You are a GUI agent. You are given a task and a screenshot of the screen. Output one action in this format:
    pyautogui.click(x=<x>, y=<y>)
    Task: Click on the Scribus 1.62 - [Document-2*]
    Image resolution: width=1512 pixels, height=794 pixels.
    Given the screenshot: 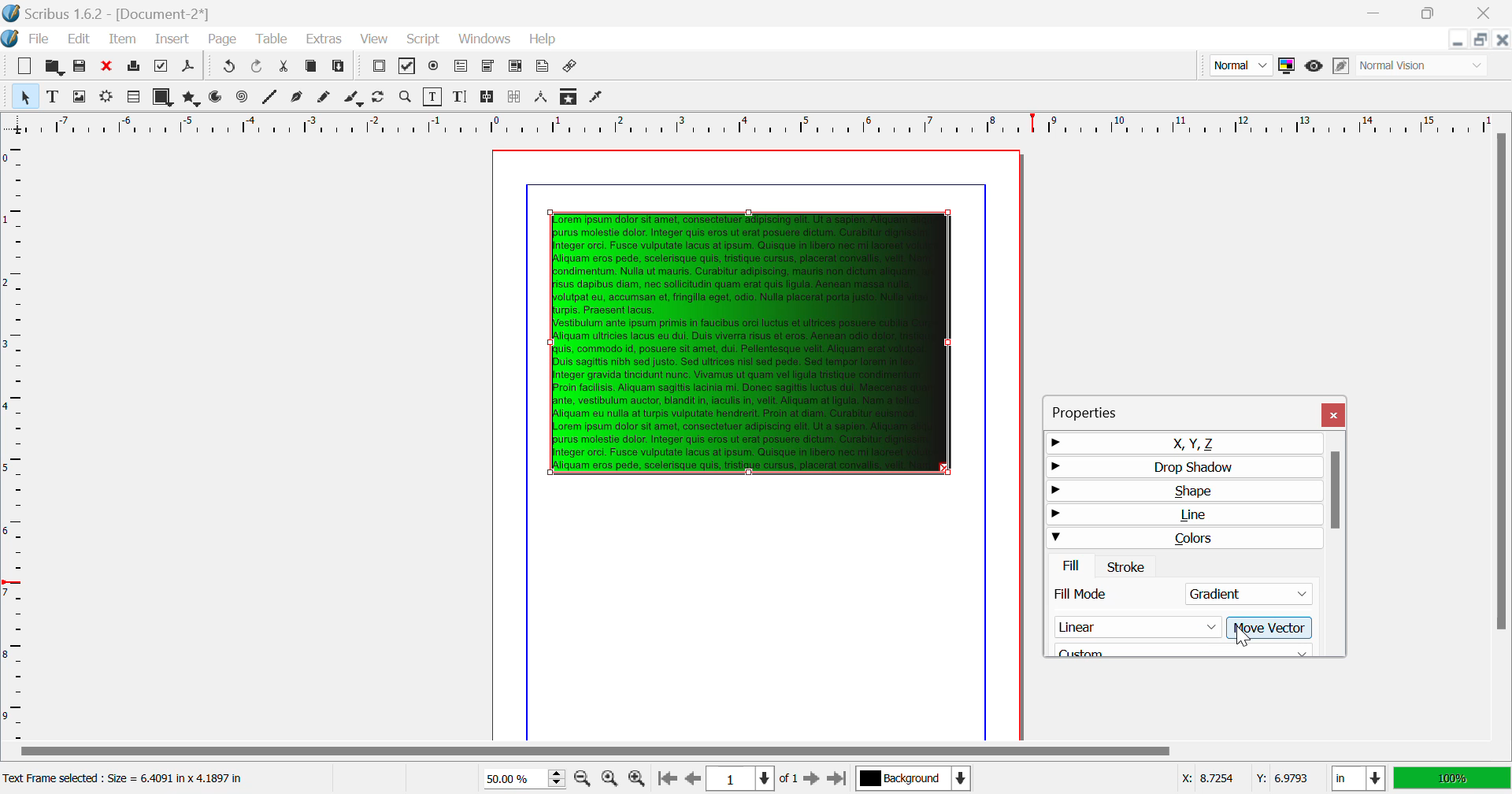 What is the action you would take?
    pyautogui.click(x=108, y=13)
    